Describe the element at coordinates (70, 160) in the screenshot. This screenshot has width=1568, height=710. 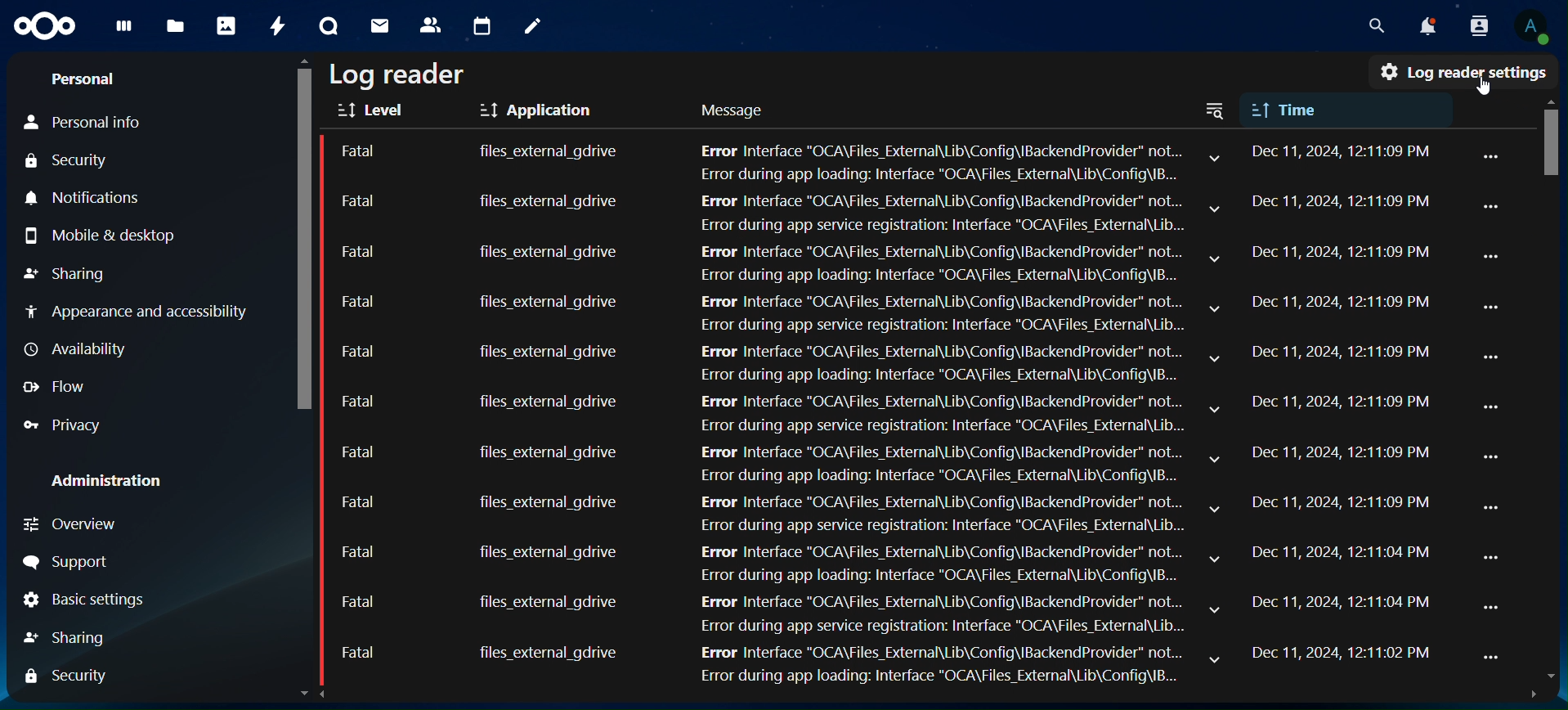
I see `security` at that location.